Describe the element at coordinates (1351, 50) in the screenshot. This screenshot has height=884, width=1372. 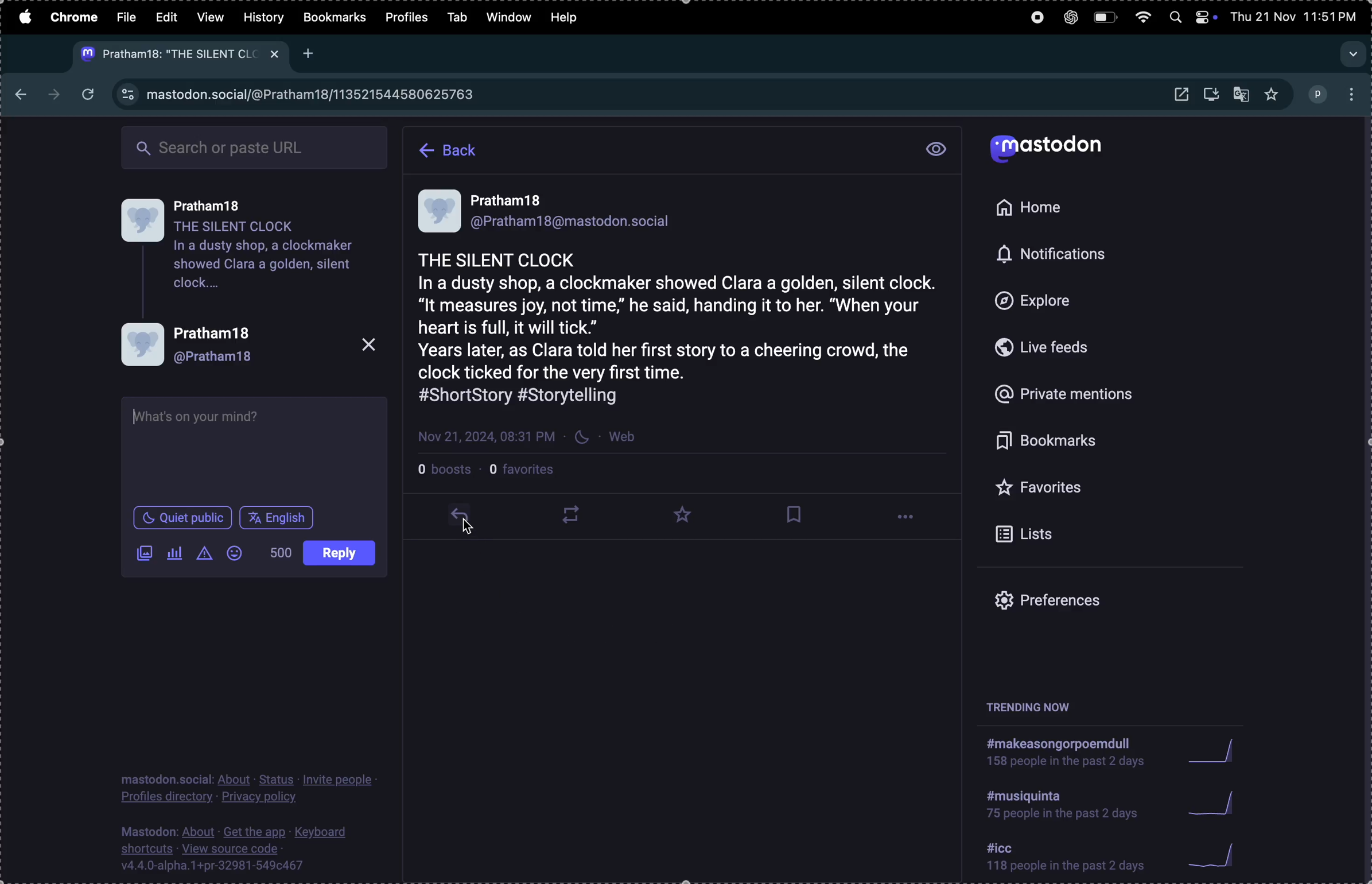
I see `search tabs` at that location.